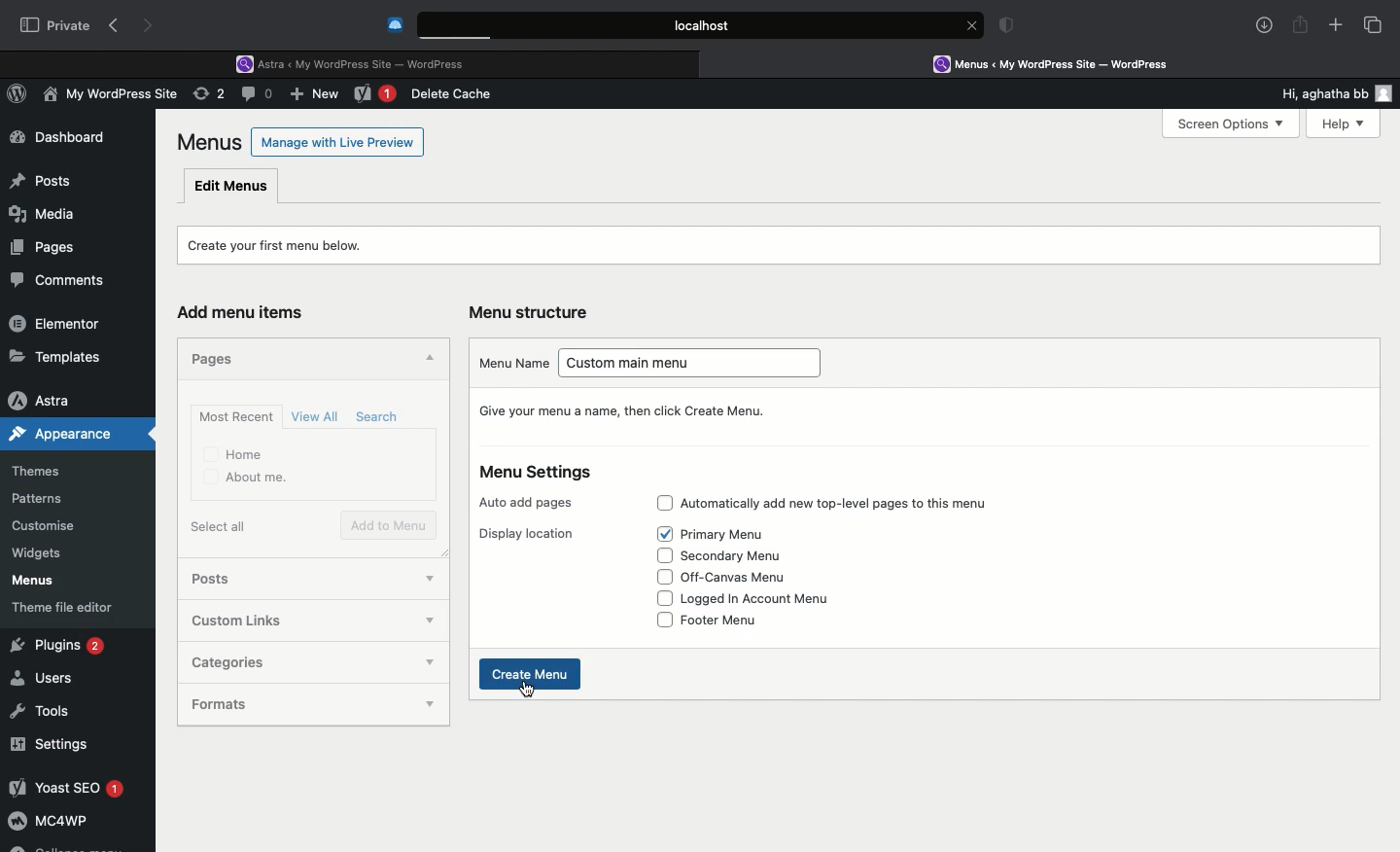 This screenshot has height=852, width=1400. Describe the element at coordinates (290, 661) in the screenshot. I see `Categories` at that location.